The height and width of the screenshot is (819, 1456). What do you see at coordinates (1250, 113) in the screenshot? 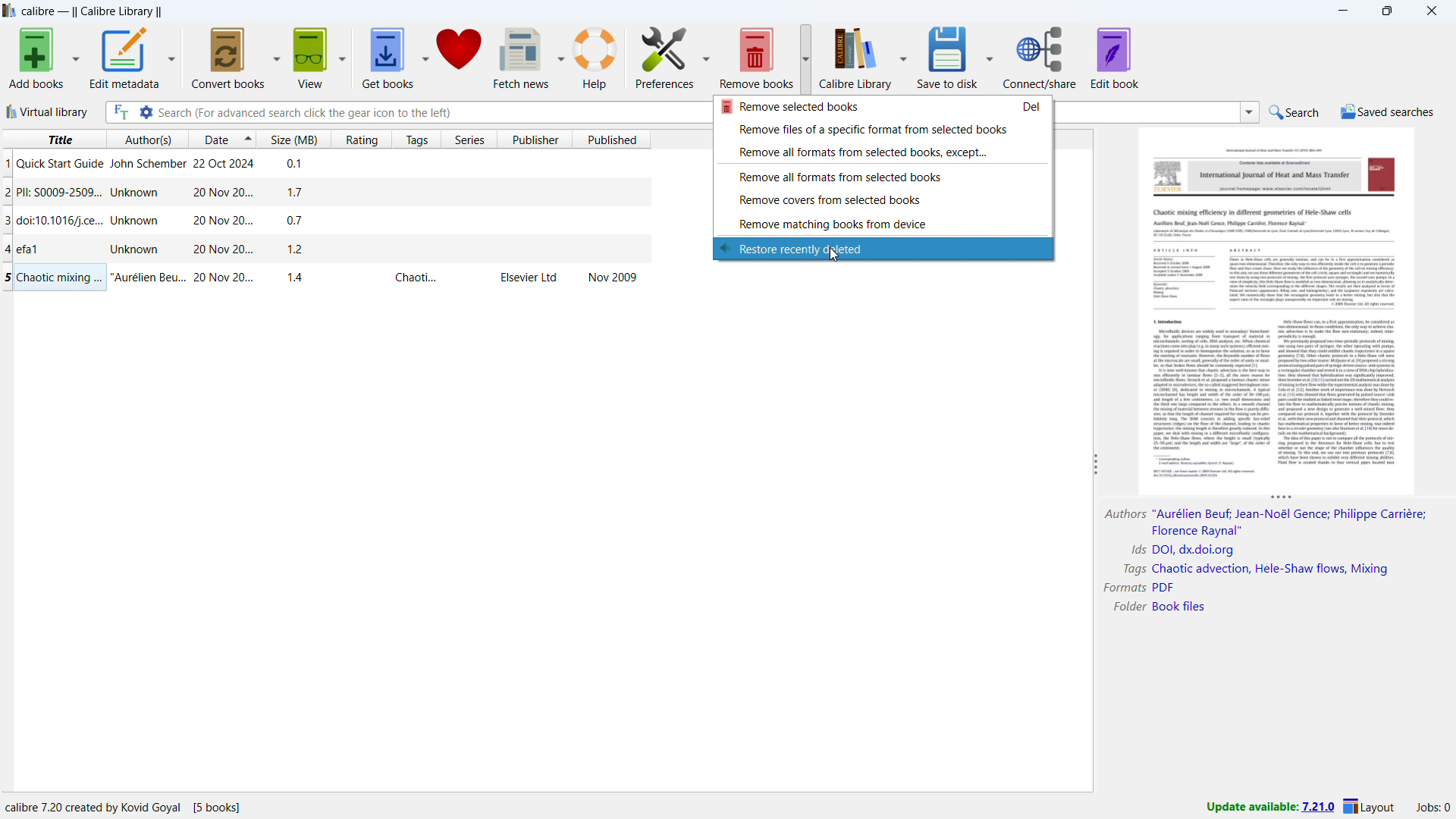
I see `search history` at bounding box center [1250, 113].